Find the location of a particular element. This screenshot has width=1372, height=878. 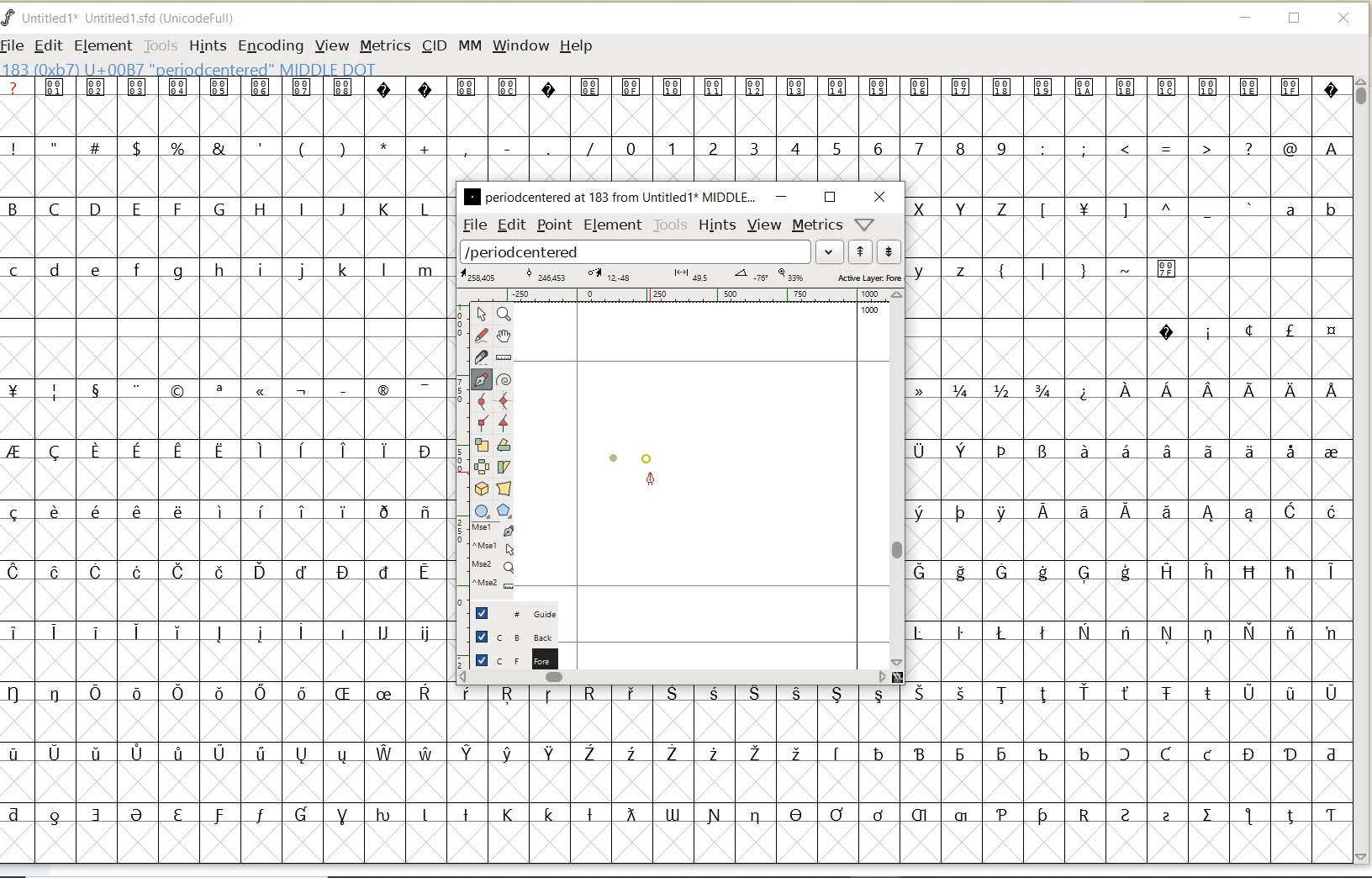

help/window is located at coordinates (863, 225).